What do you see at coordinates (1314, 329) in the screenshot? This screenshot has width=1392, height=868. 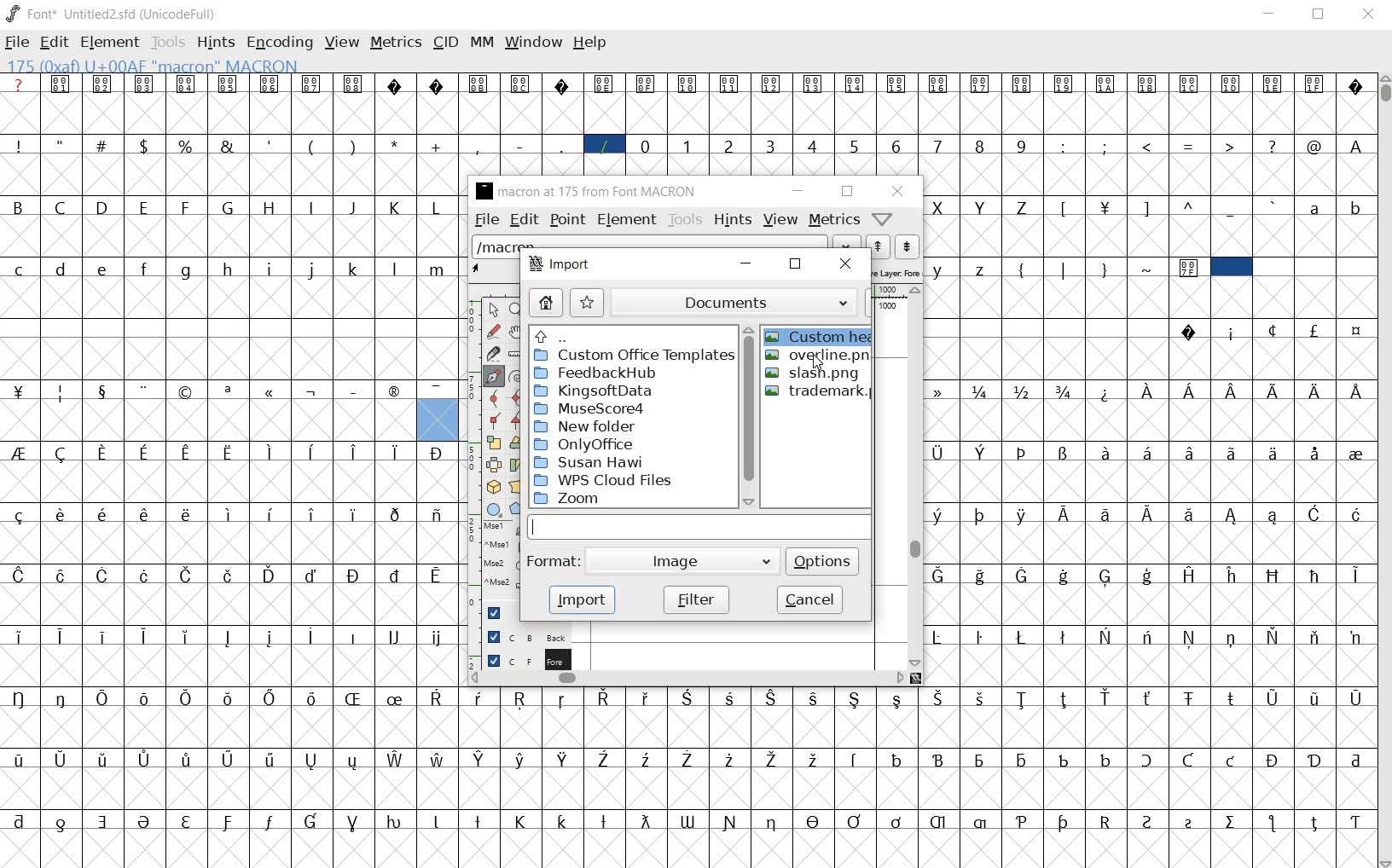 I see `Symbol` at bounding box center [1314, 329].